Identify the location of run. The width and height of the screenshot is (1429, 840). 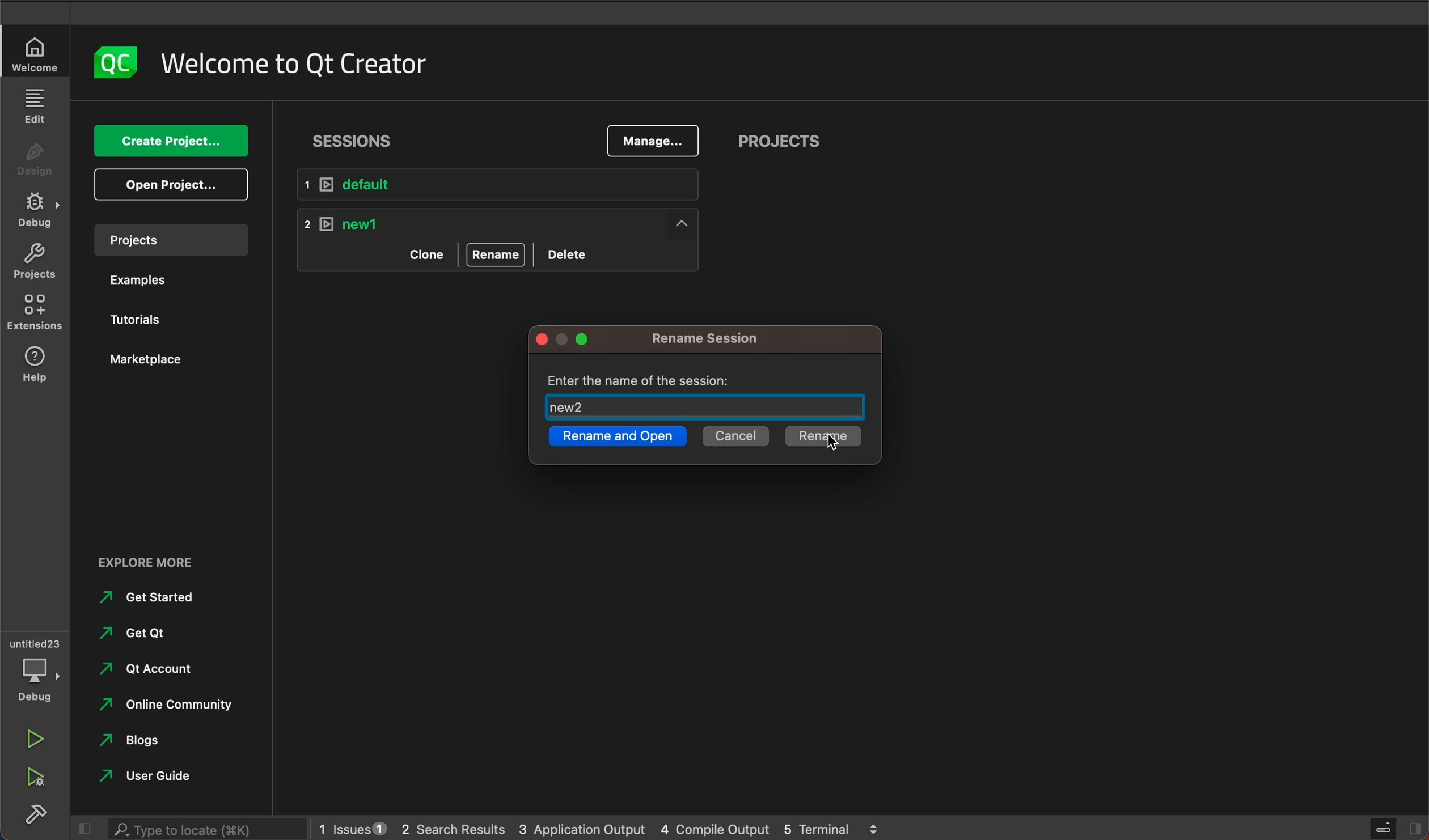
(32, 741).